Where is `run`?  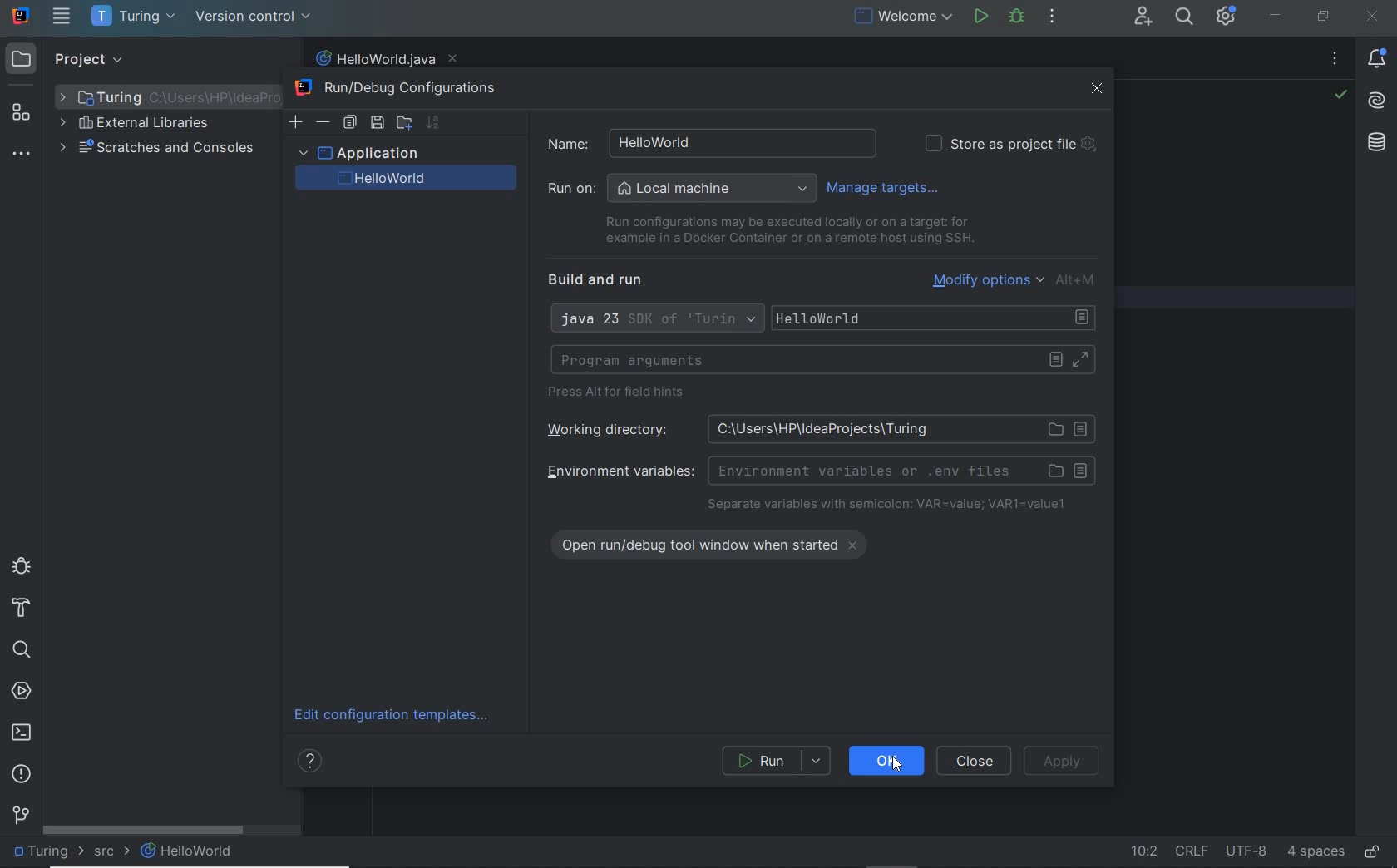
run is located at coordinates (980, 16).